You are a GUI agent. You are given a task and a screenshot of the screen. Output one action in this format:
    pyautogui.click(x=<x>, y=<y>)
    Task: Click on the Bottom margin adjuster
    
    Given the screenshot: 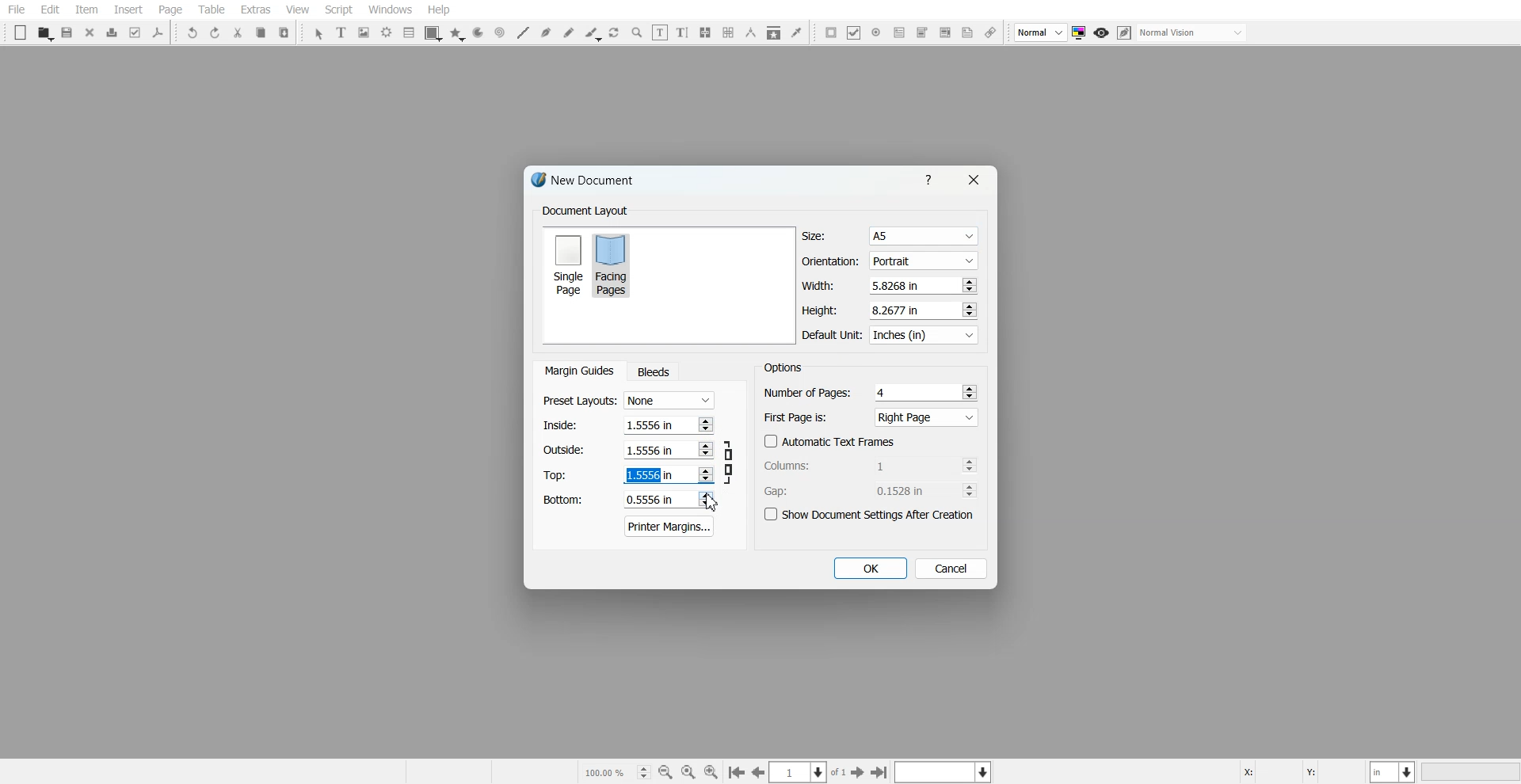 What is the action you would take?
    pyautogui.click(x=627, y=500)
    